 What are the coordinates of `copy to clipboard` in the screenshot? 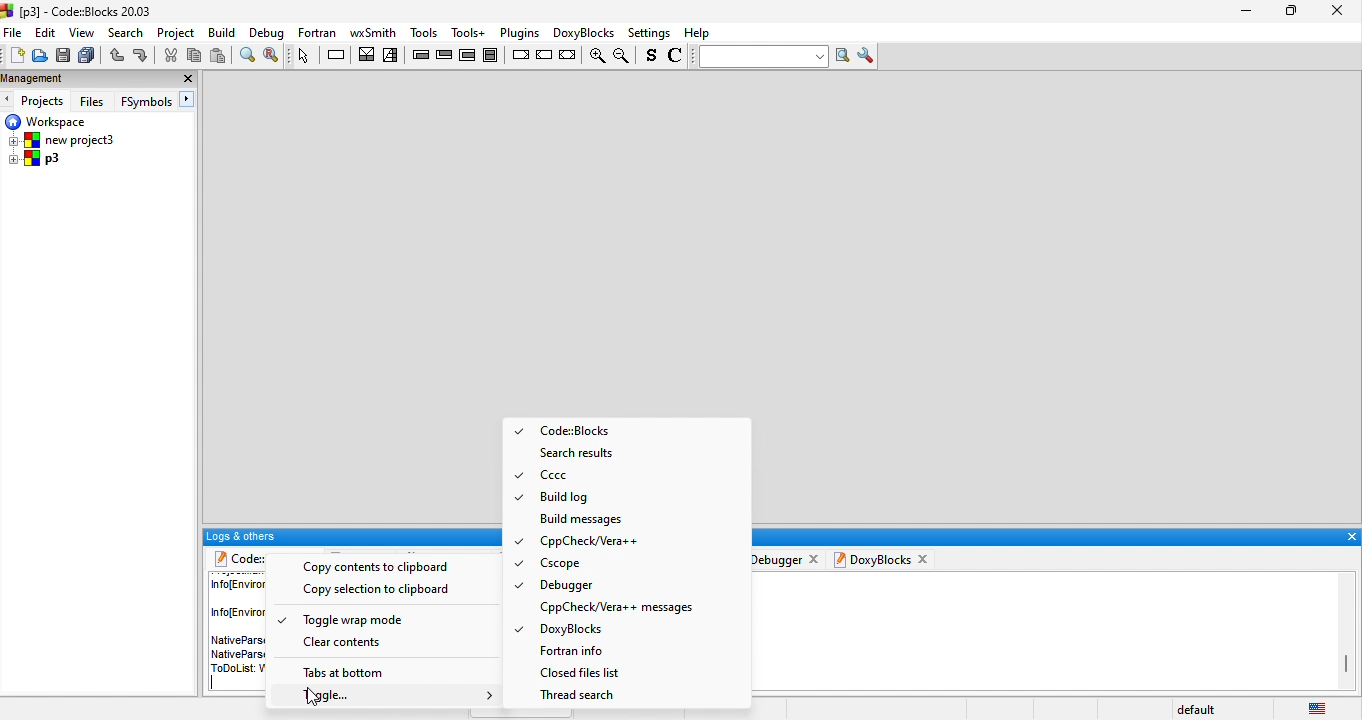 It's located at (380, 567).